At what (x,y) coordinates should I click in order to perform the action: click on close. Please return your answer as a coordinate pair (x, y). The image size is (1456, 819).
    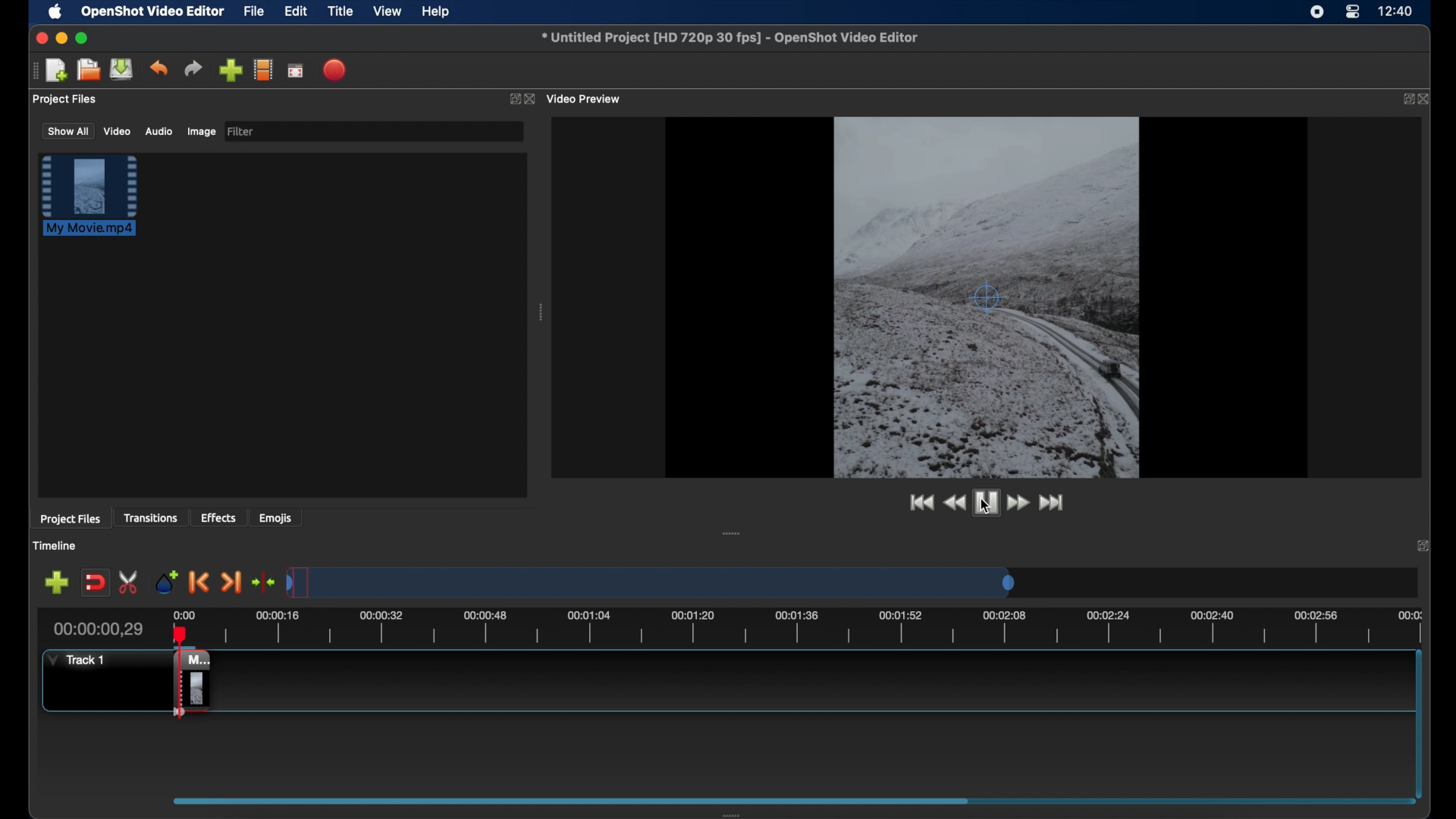
    Looking at the image, I should click on (39, 38).